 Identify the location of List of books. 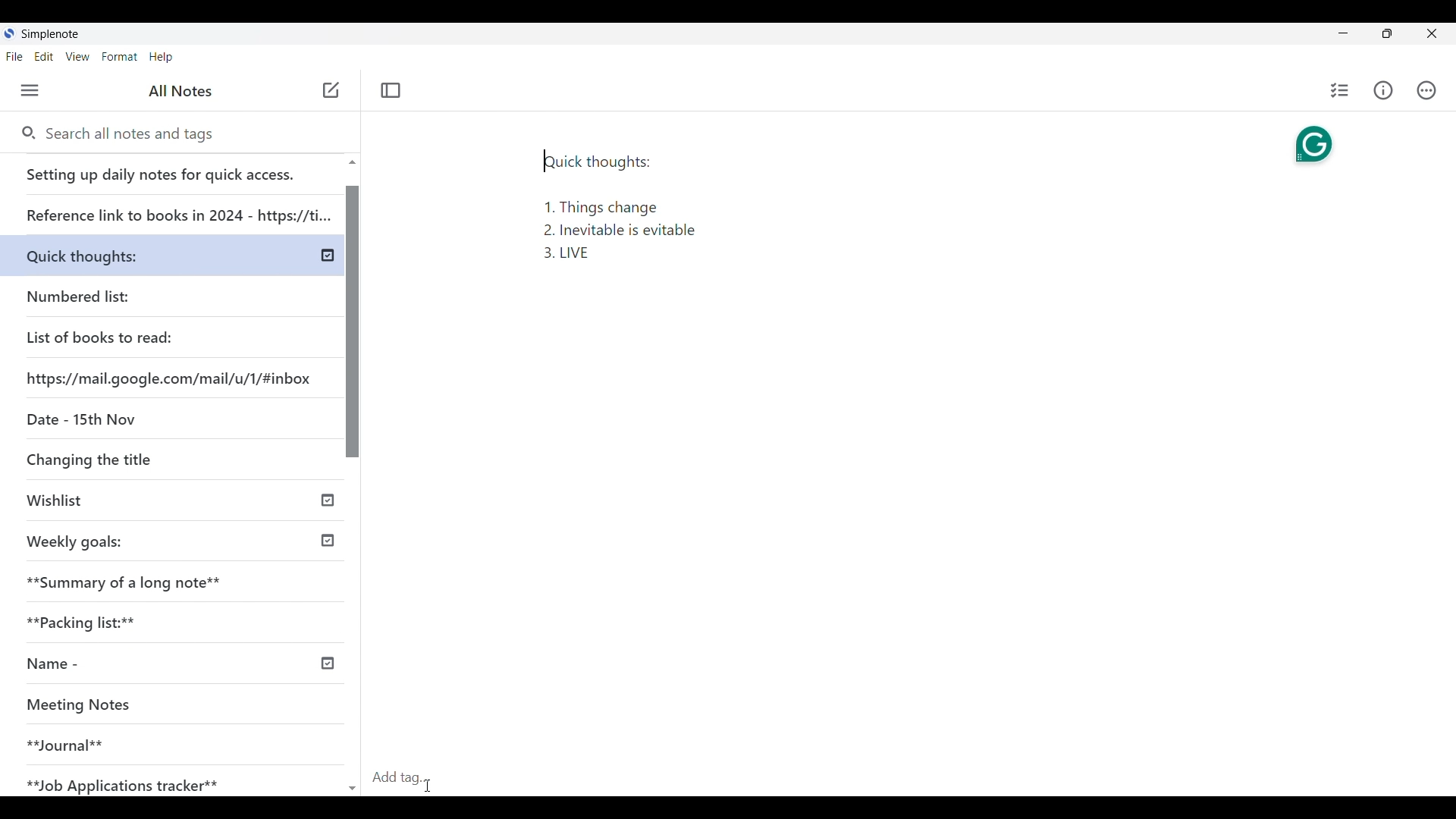
(101, 335).